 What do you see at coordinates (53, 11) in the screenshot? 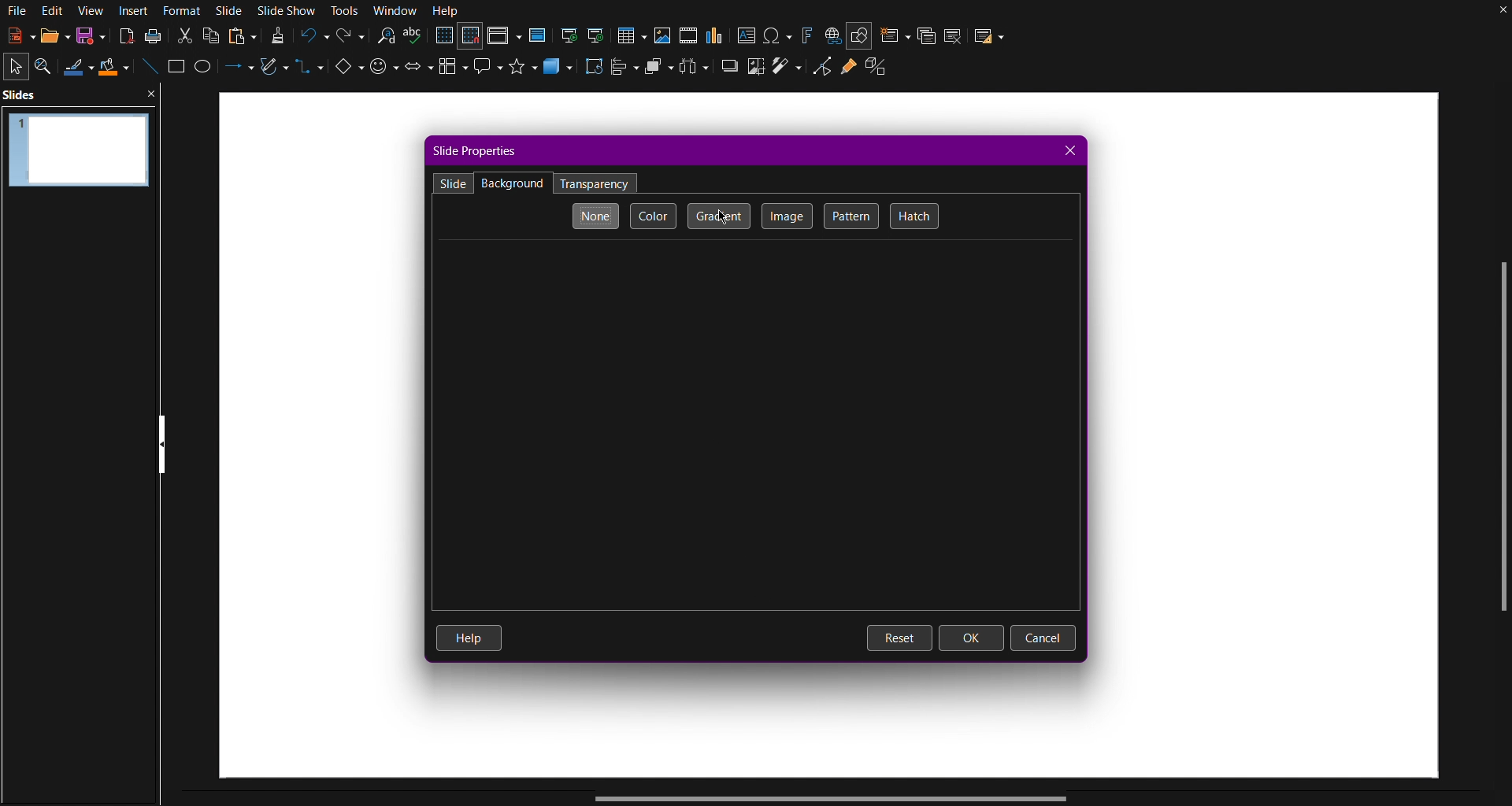
I see `Edit` at bounding box center [53, 11].